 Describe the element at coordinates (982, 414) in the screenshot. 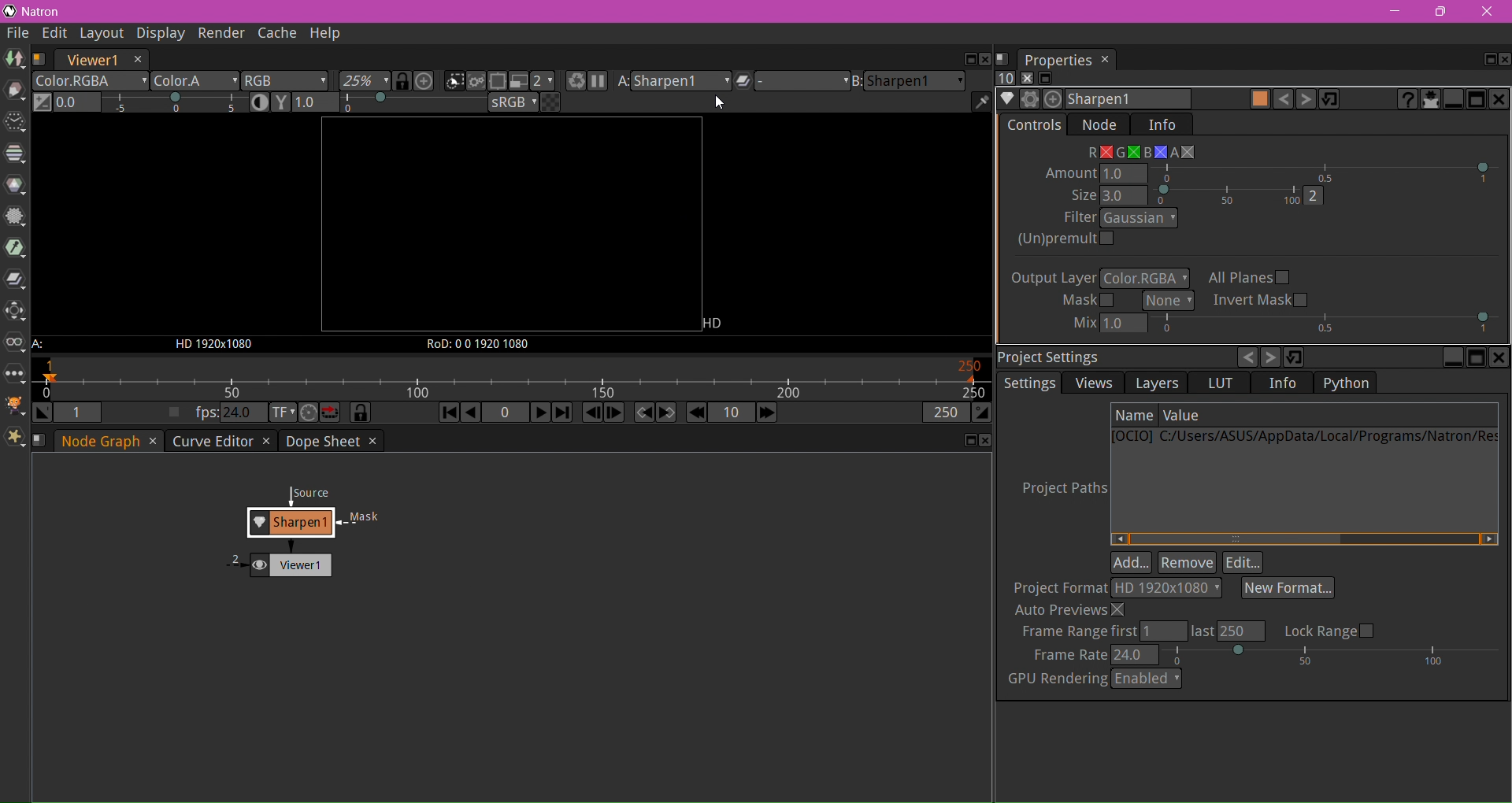

I see `Set the playback out point at the current frame` at that location.